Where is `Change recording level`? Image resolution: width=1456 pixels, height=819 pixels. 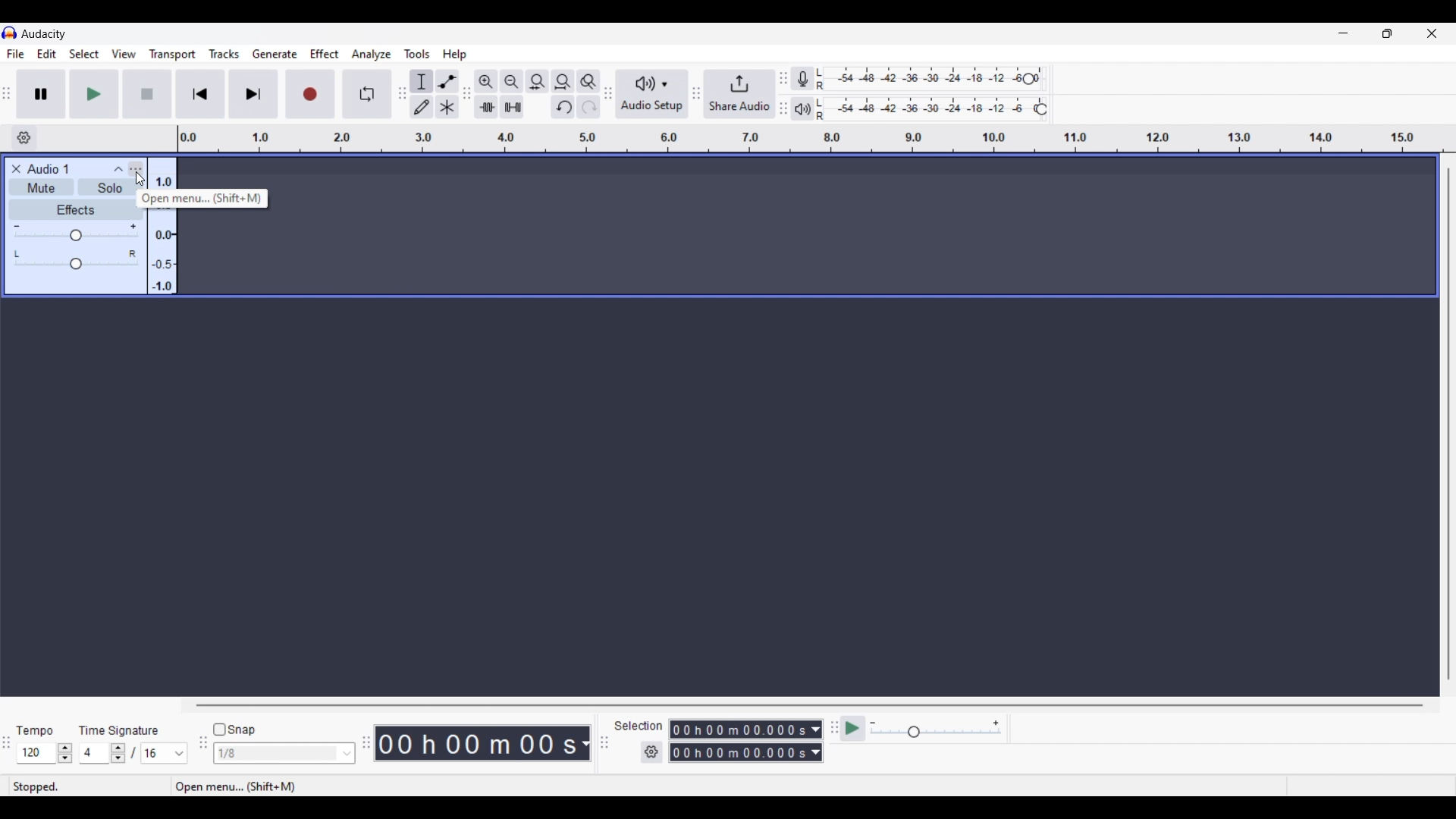
Change recording level is located at coordinates (1028, 78).